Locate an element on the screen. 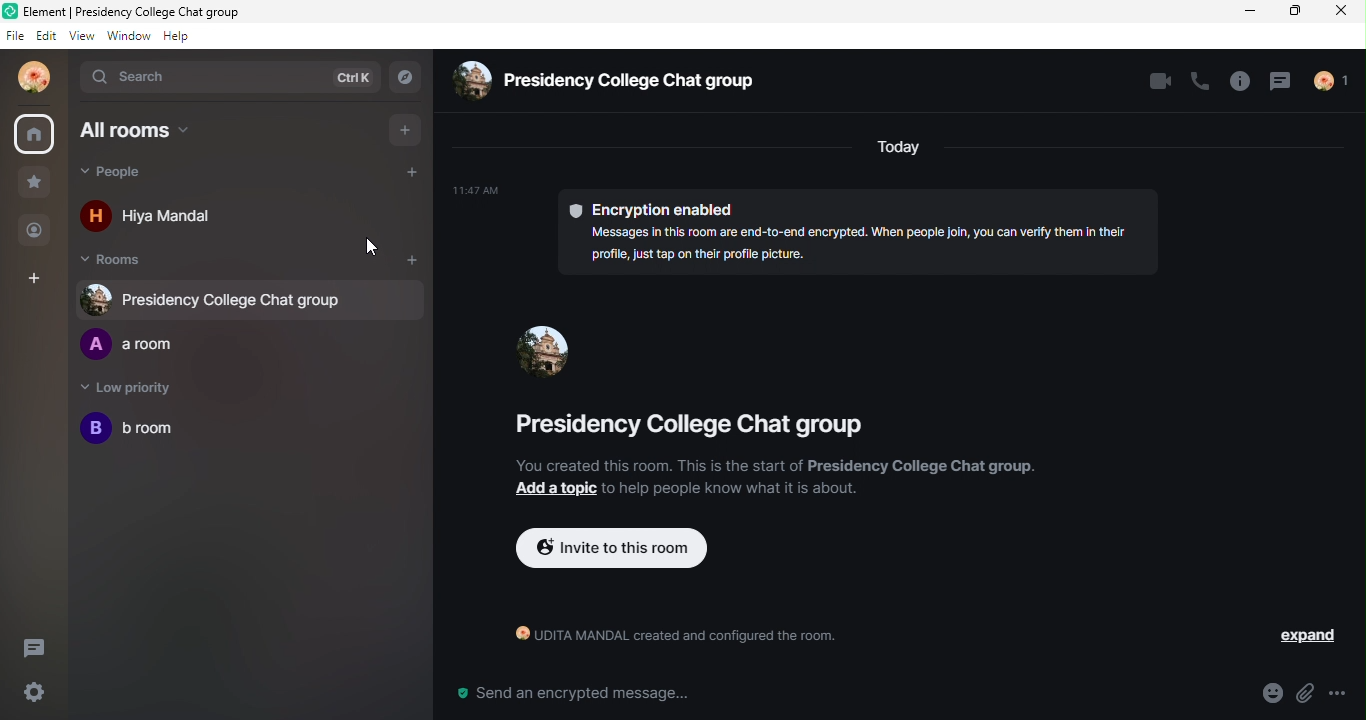  rooms is located at coordinates (123, 262).